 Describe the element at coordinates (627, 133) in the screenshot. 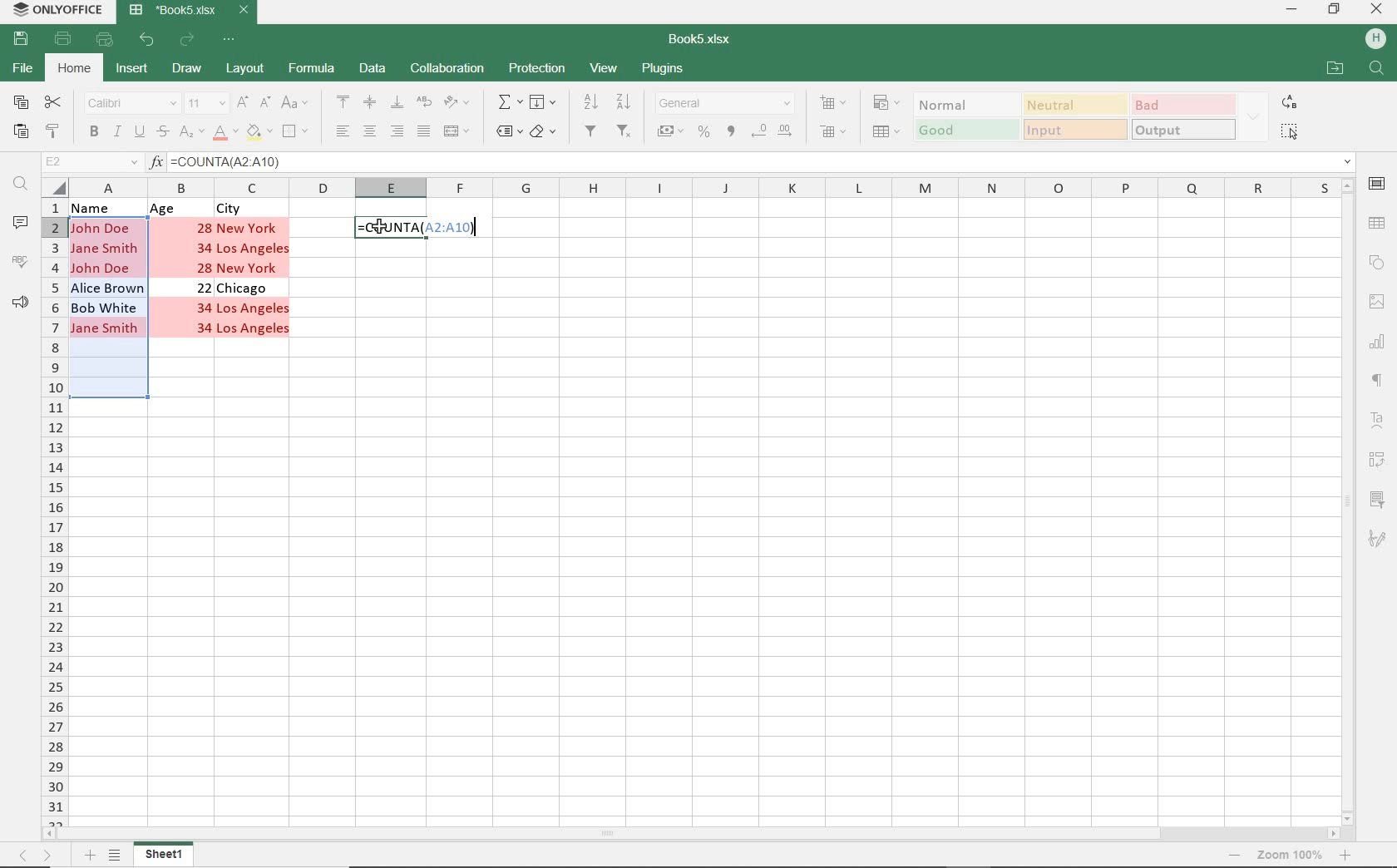

I see `REMOVE FILTERS` at that location.